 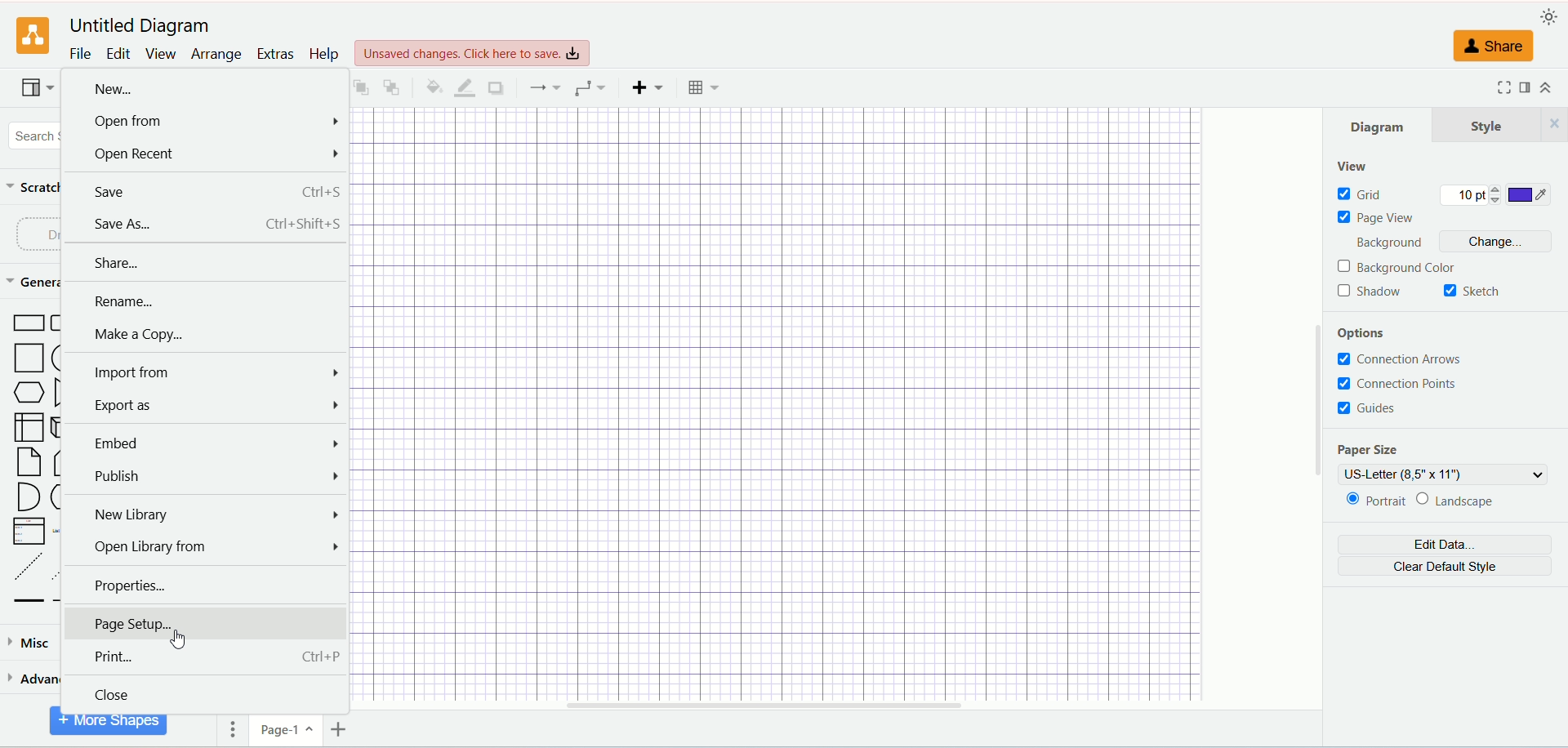 I want to click on Item List, so click(x=28, y=532).